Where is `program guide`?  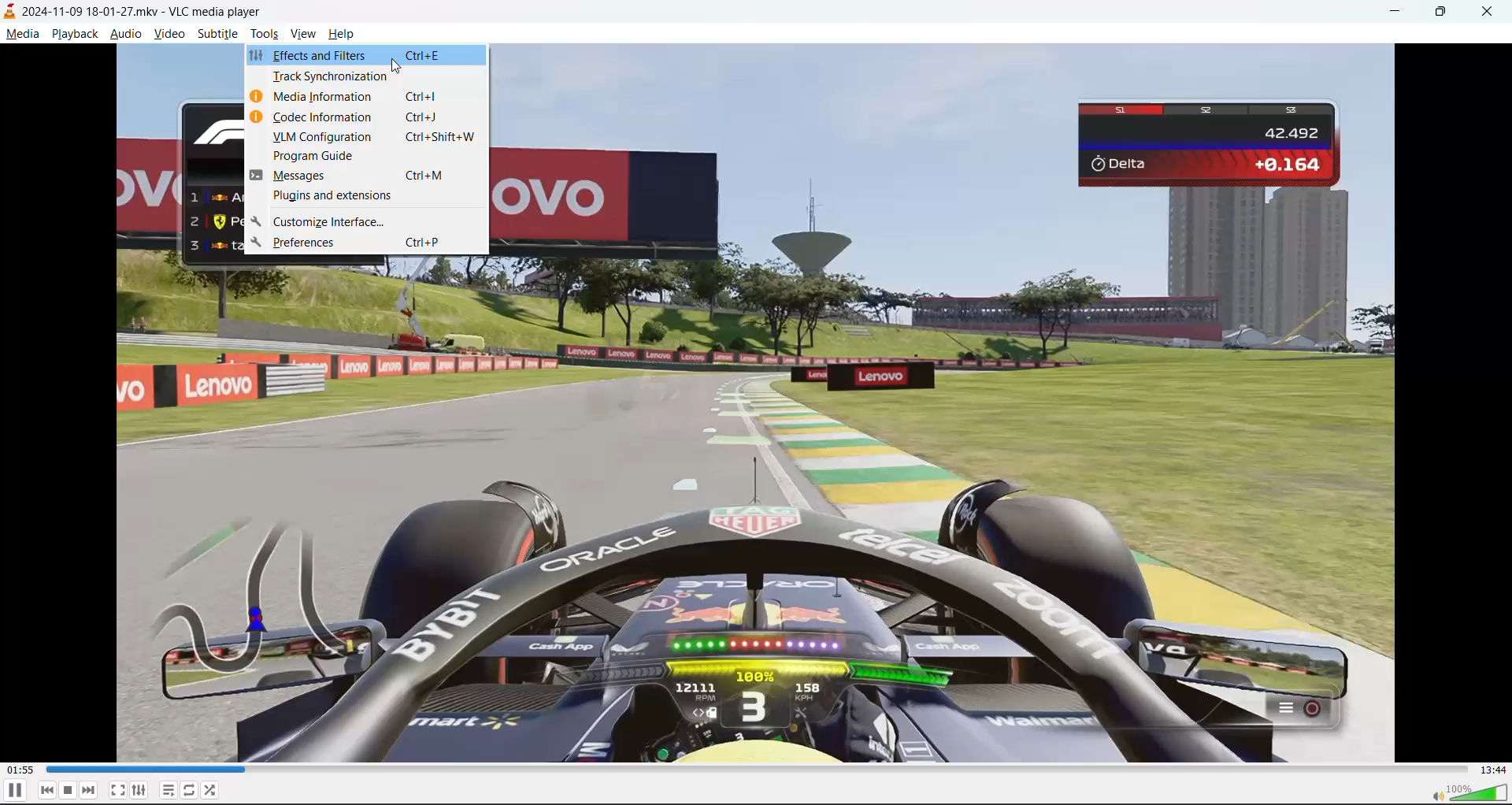 program guide is located at coordinates (365, 155).